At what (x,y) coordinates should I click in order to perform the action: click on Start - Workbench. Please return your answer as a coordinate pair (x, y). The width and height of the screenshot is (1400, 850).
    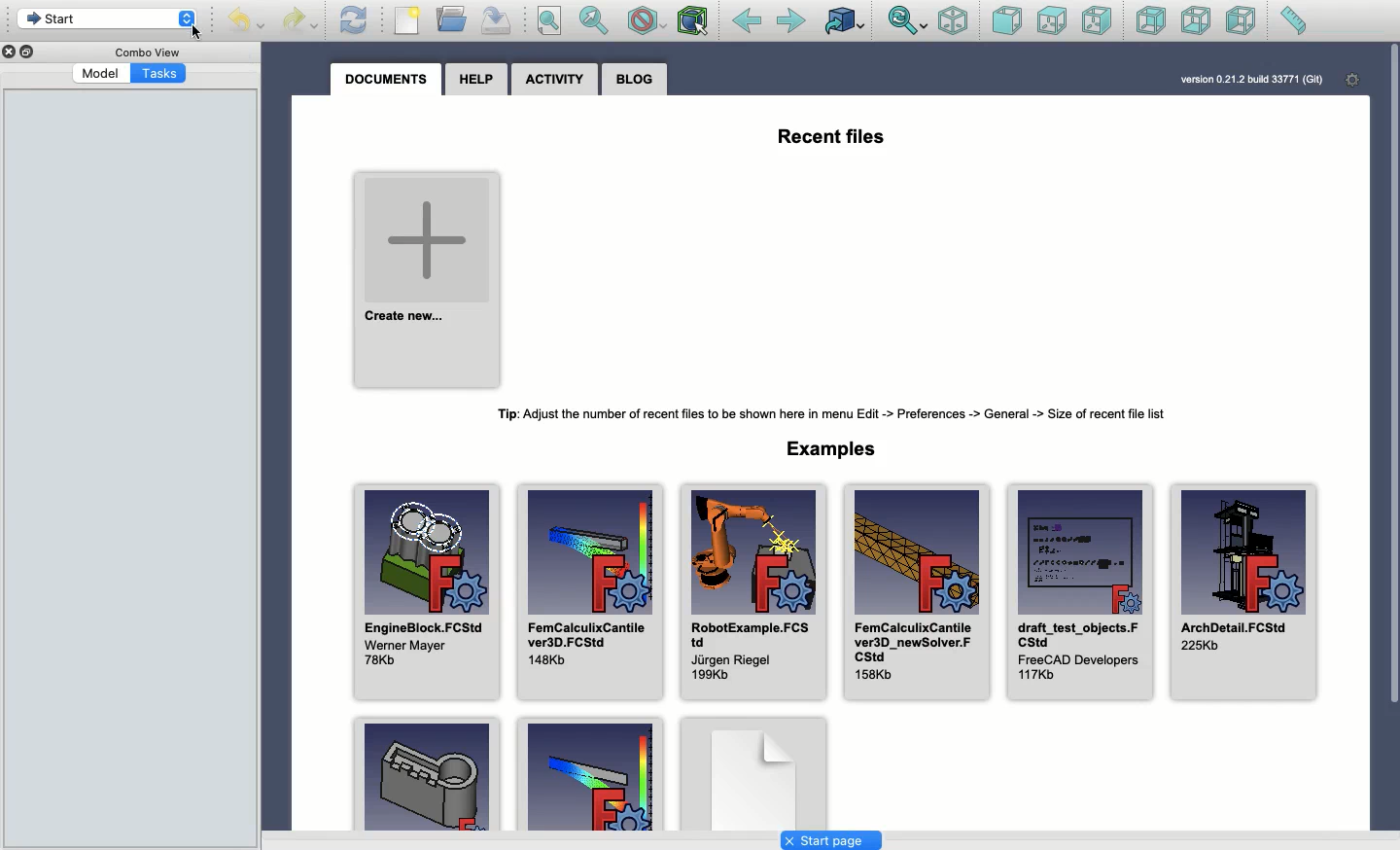
    Looking at the image, I should click on (106, 18).